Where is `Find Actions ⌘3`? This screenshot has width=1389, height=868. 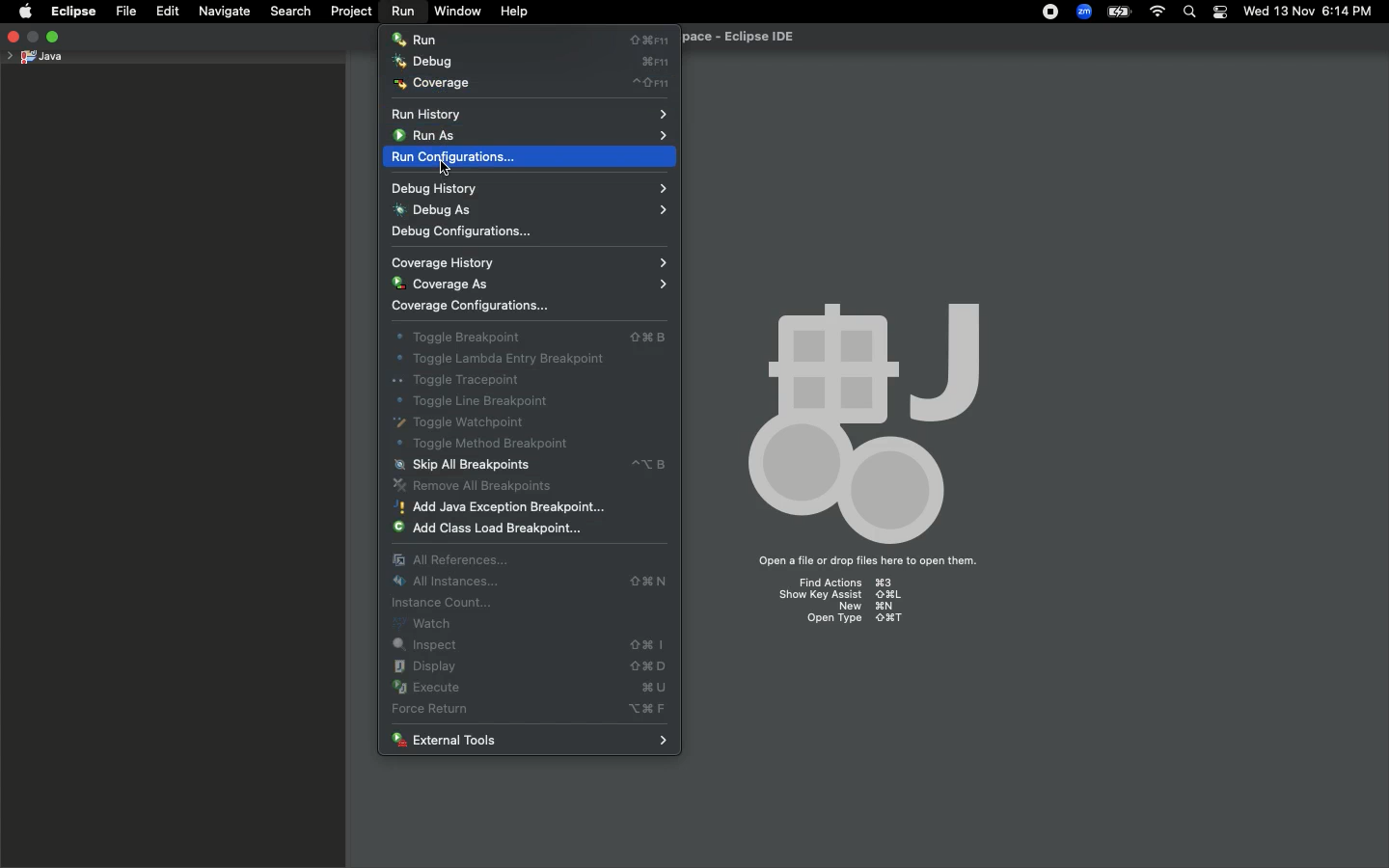 Find Actions ⌘3 is located at coordinates (846, 584).